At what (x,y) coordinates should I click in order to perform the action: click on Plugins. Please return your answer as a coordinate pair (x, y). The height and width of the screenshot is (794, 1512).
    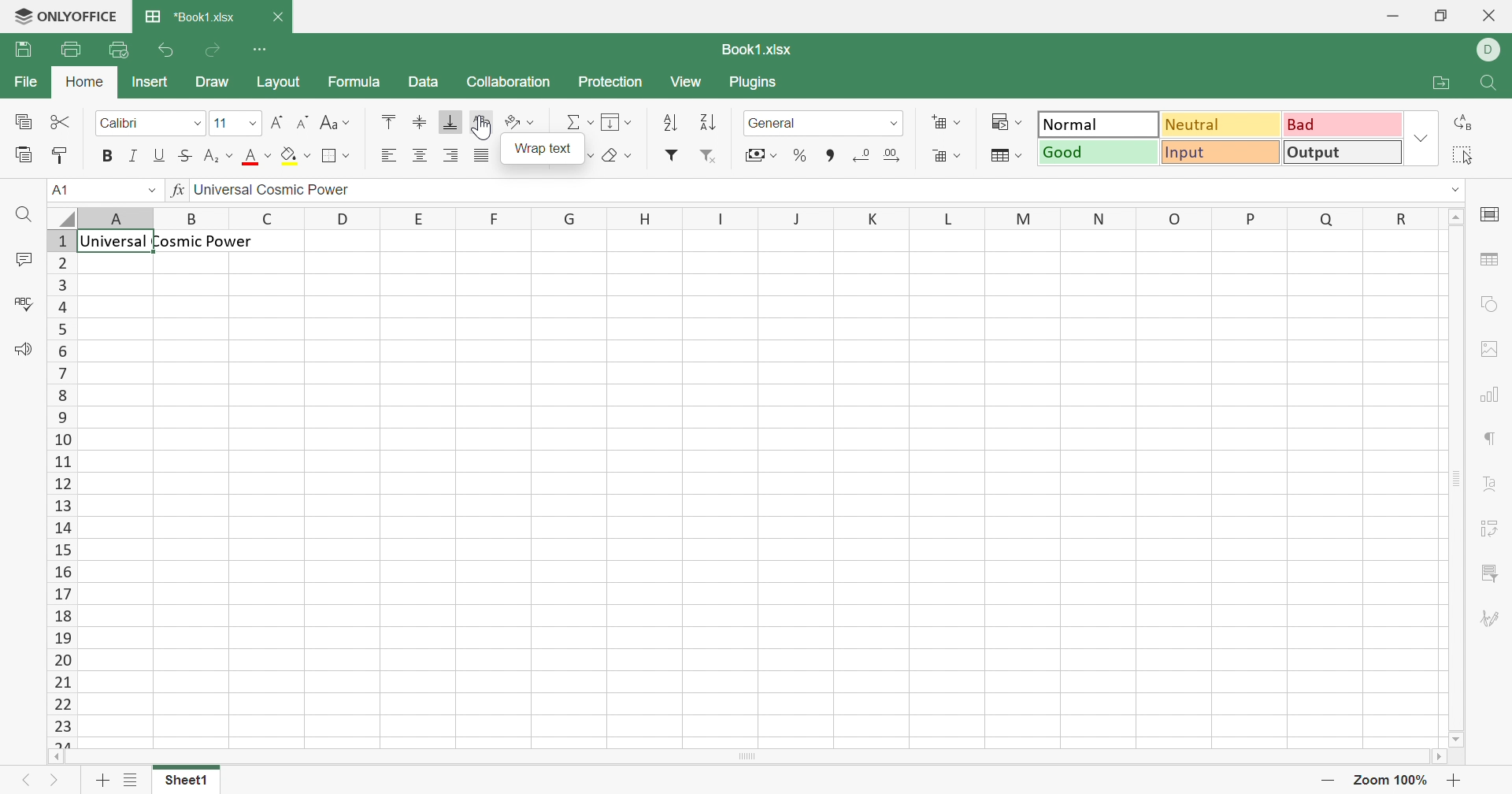
    Looking at the image, I should click on (760, 86).